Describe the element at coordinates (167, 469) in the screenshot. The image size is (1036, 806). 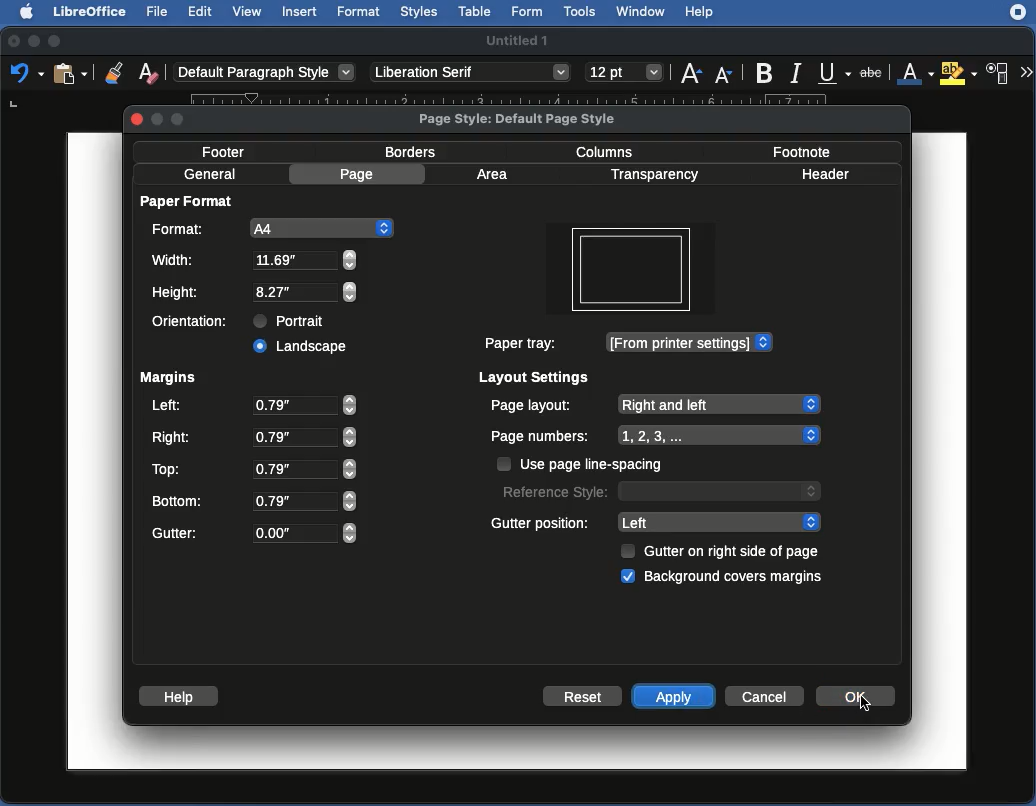
I see `Top` at that location.